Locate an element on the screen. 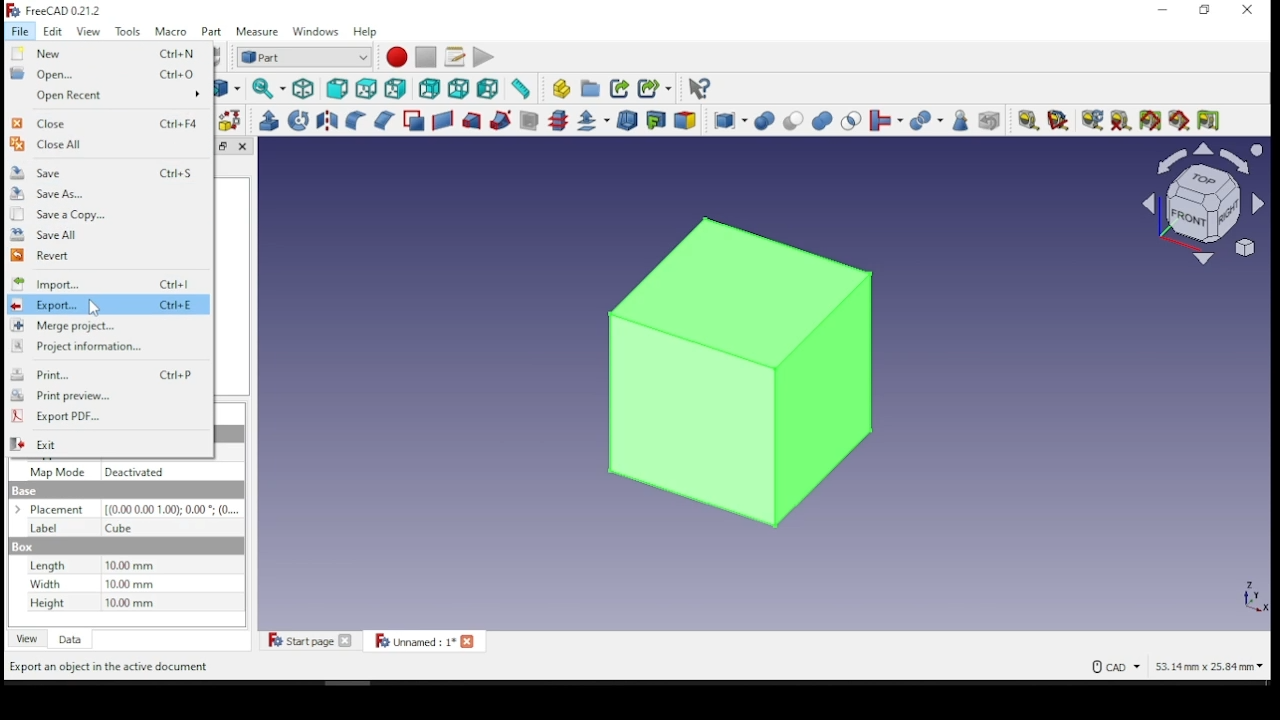 This screenshot has width=1280, height=720. toggle delta is located at coordinates (1210, 120).